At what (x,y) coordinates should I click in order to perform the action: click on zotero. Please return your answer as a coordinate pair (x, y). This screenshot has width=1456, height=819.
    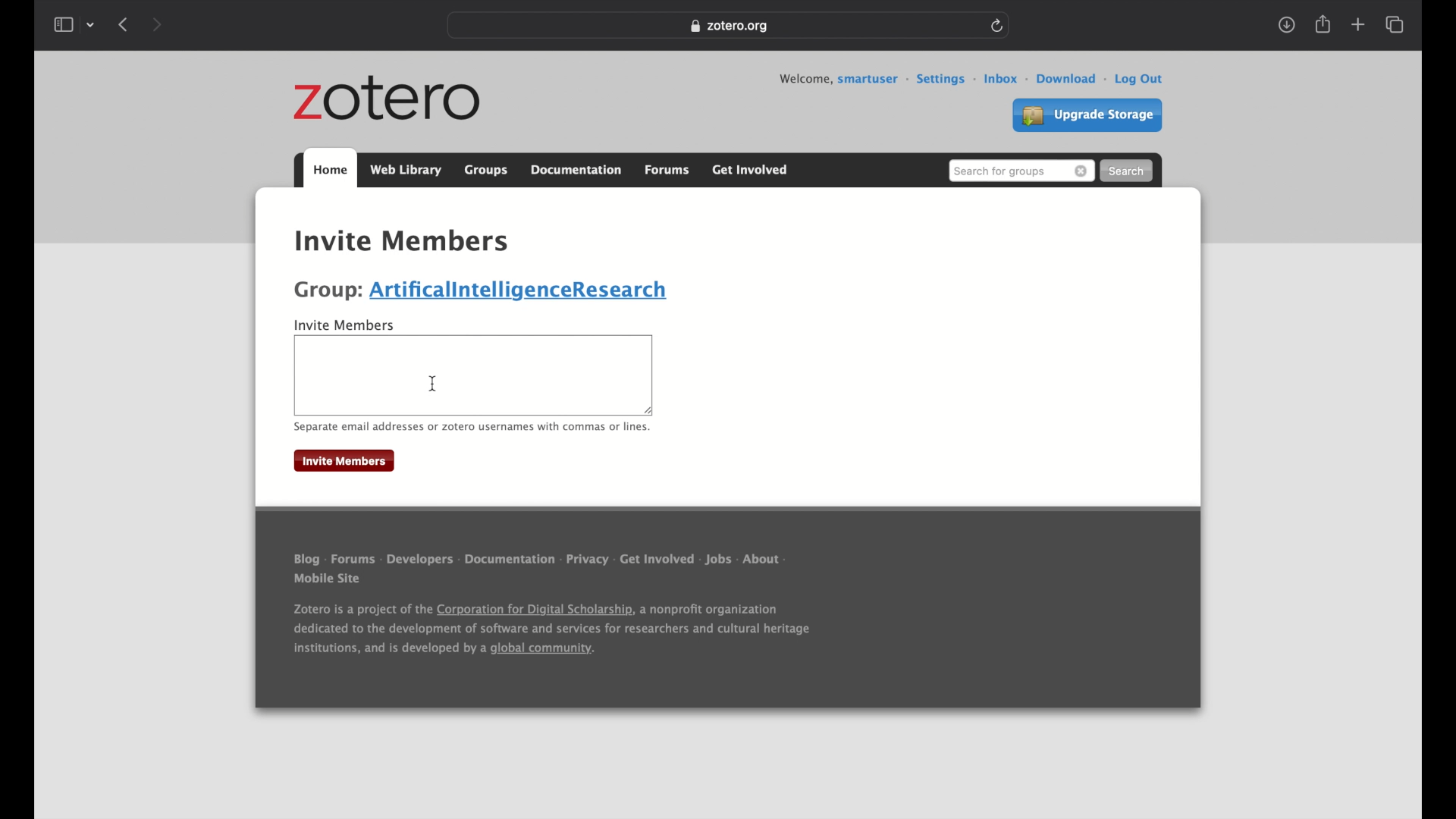
    Looking at the image, I should click on (387, 99).